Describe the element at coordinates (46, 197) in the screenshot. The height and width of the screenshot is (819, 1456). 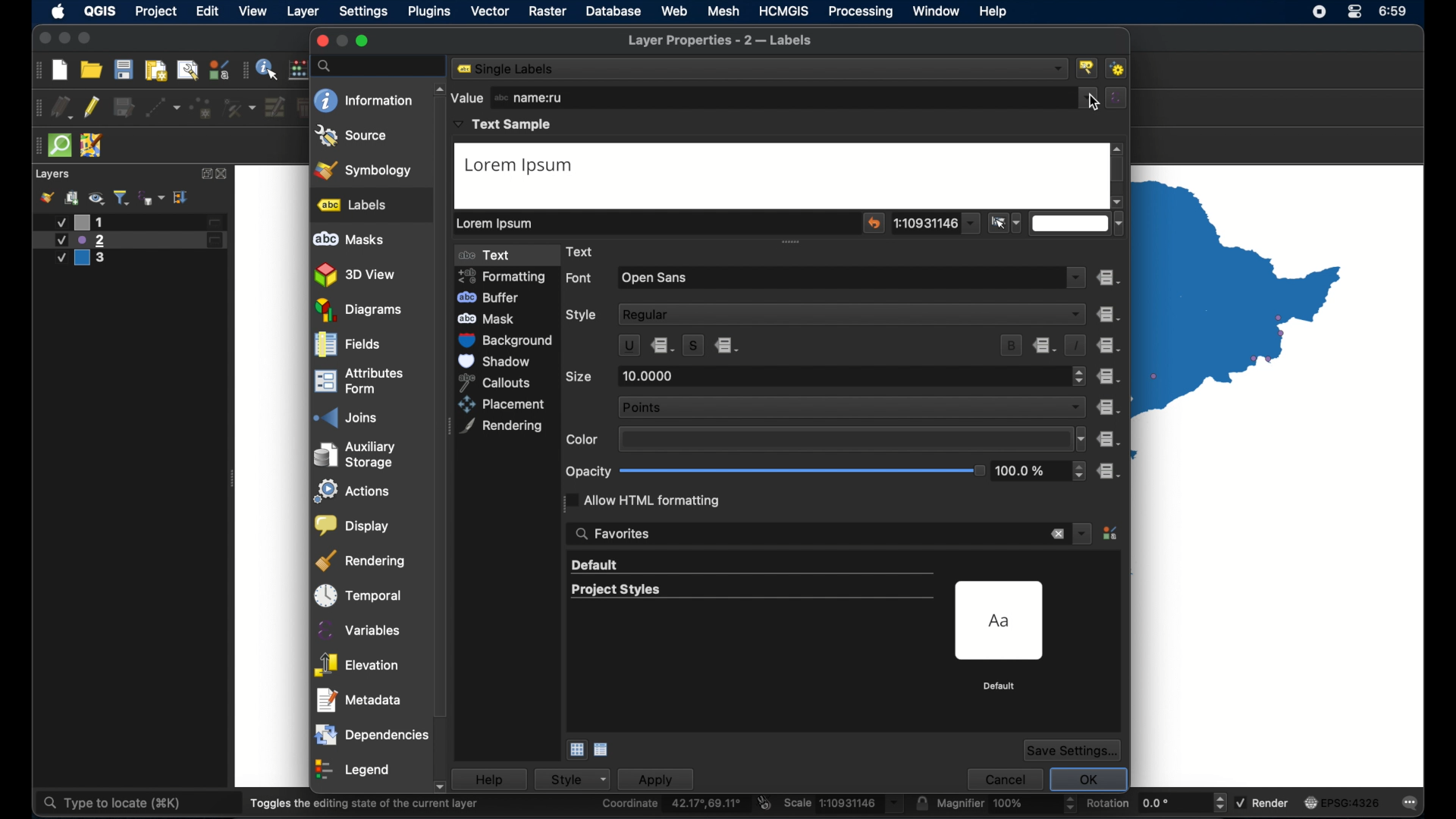
I see `styling panel` at that location.